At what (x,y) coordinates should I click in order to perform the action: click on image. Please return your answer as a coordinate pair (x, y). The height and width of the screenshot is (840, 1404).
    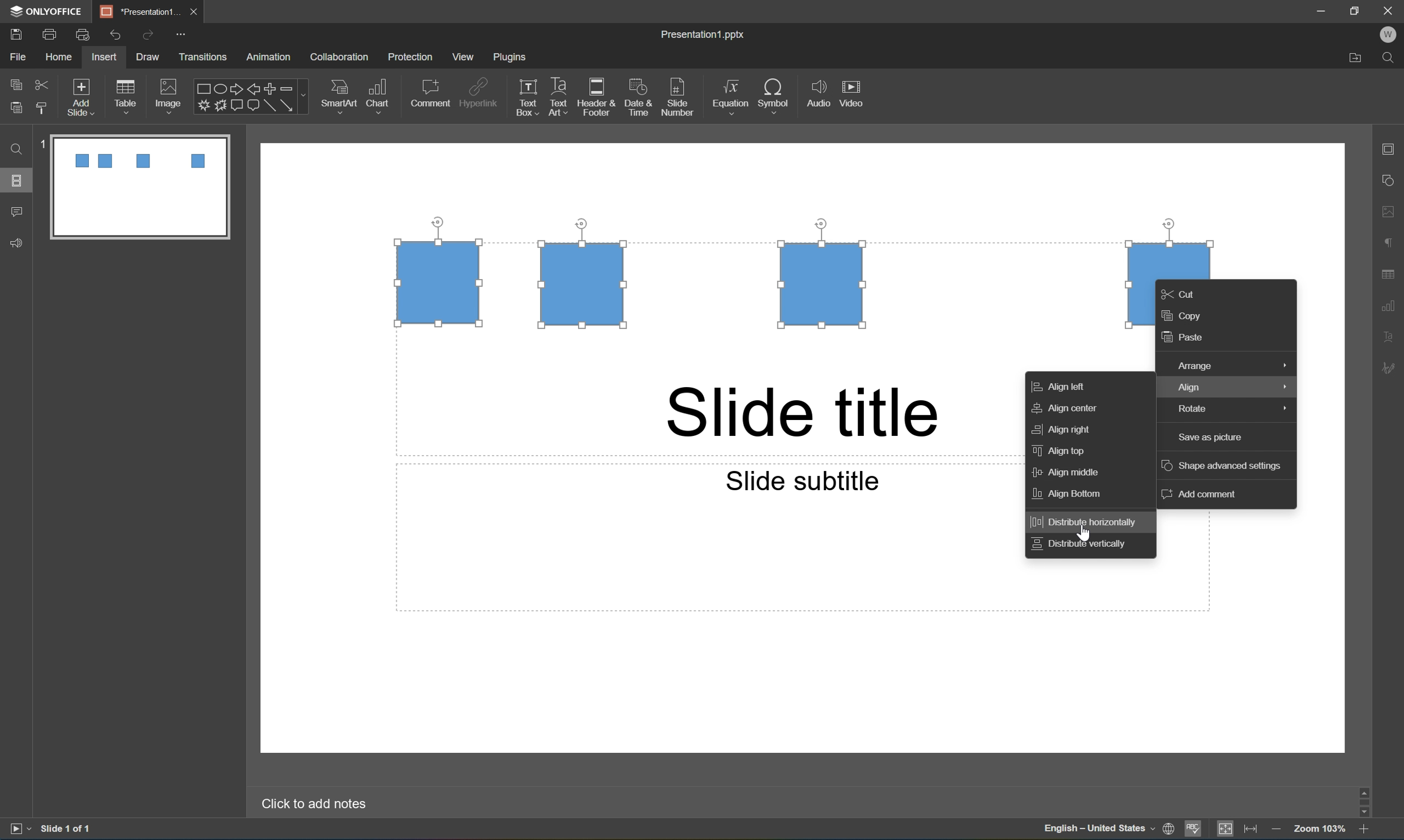
    Looking at the image, I should click on (168, 93).